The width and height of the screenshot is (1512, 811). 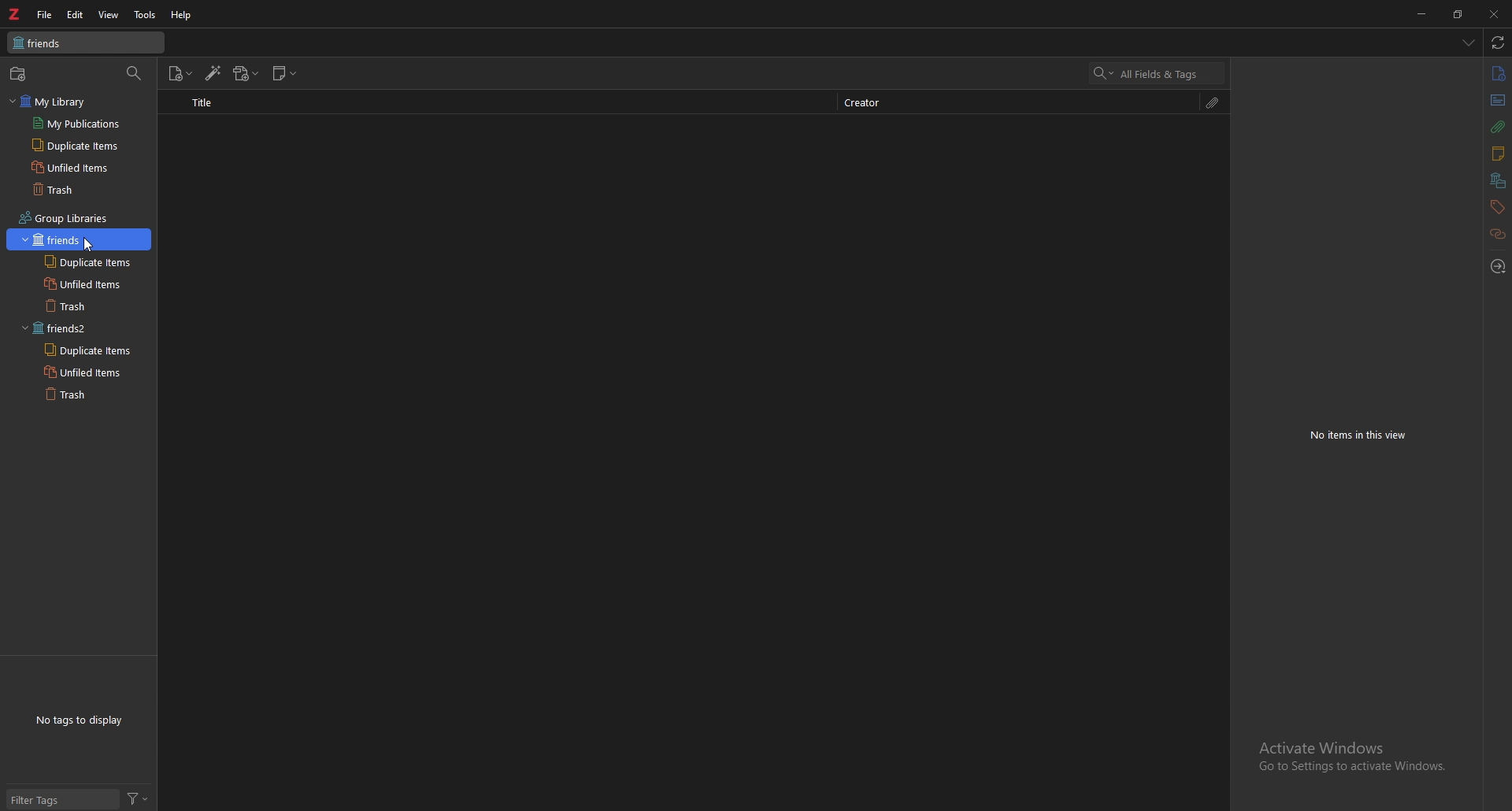 I want to click on close, so click(x=1495, y=13).